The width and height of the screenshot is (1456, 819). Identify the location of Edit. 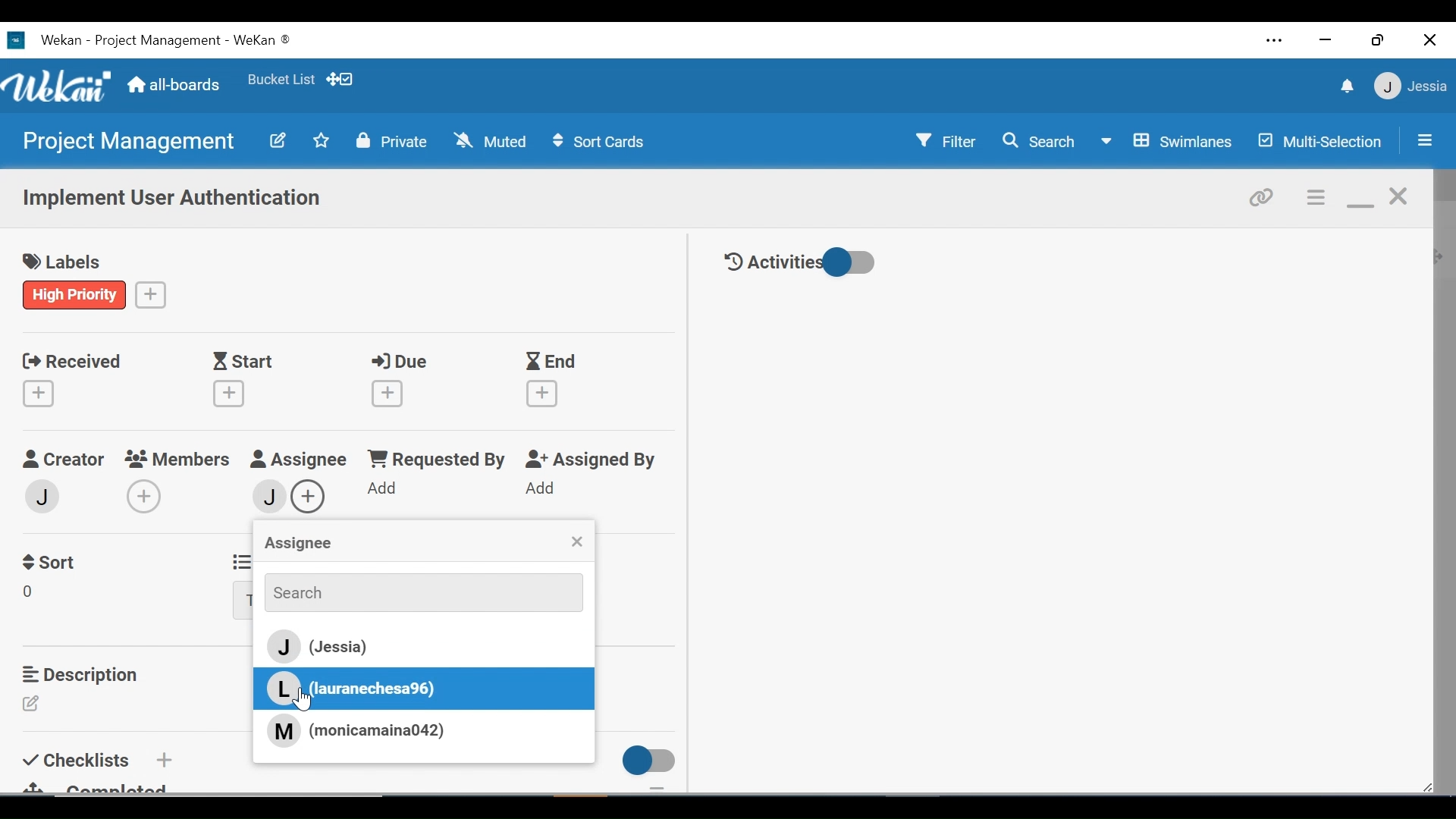
(36, 704).